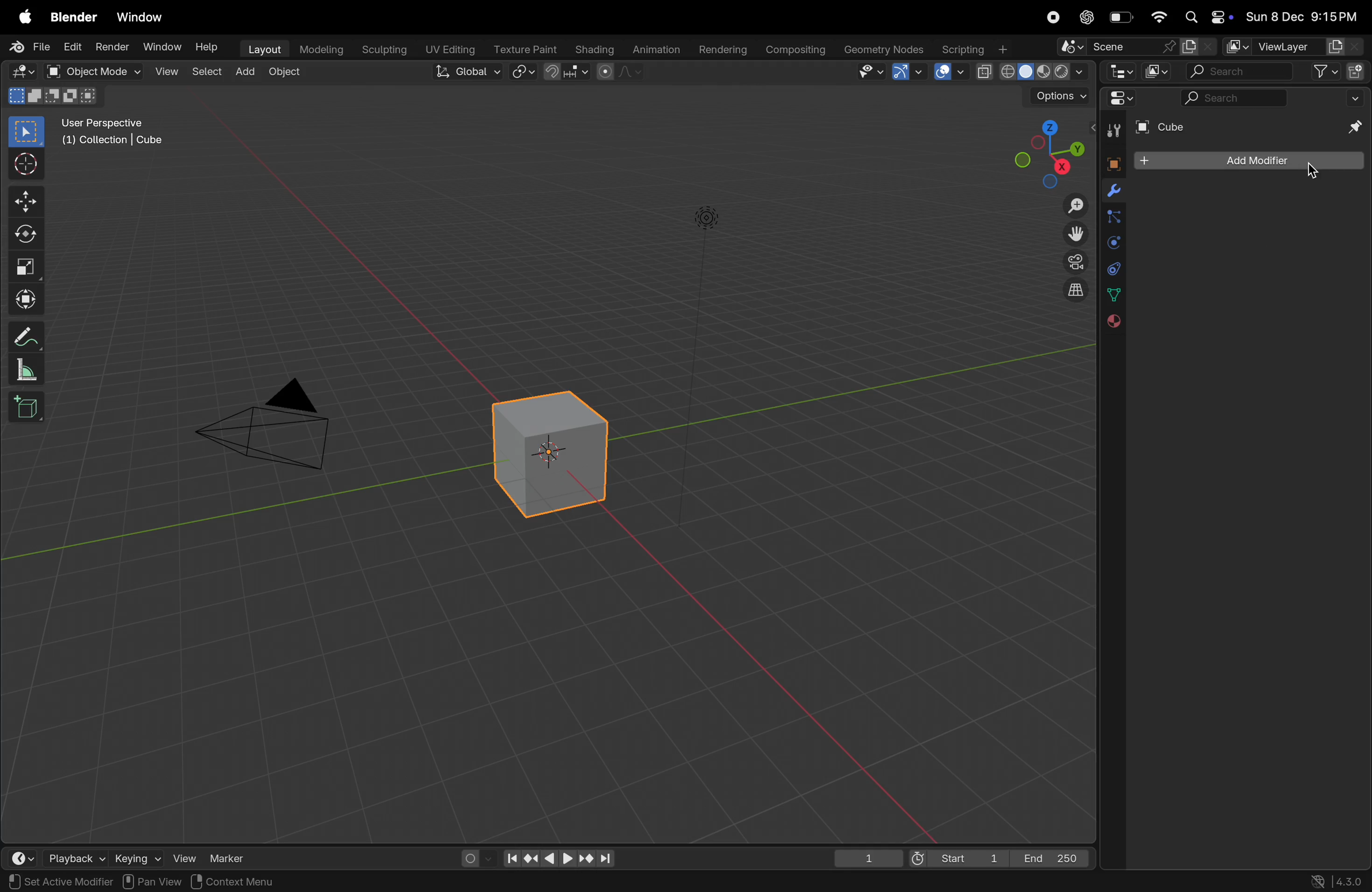 This screenshot has height=892, width=1372. What do you see at coordinates (1118, 99) in the screenshot?
I see `widgets` at bounding box center [1118, 99].